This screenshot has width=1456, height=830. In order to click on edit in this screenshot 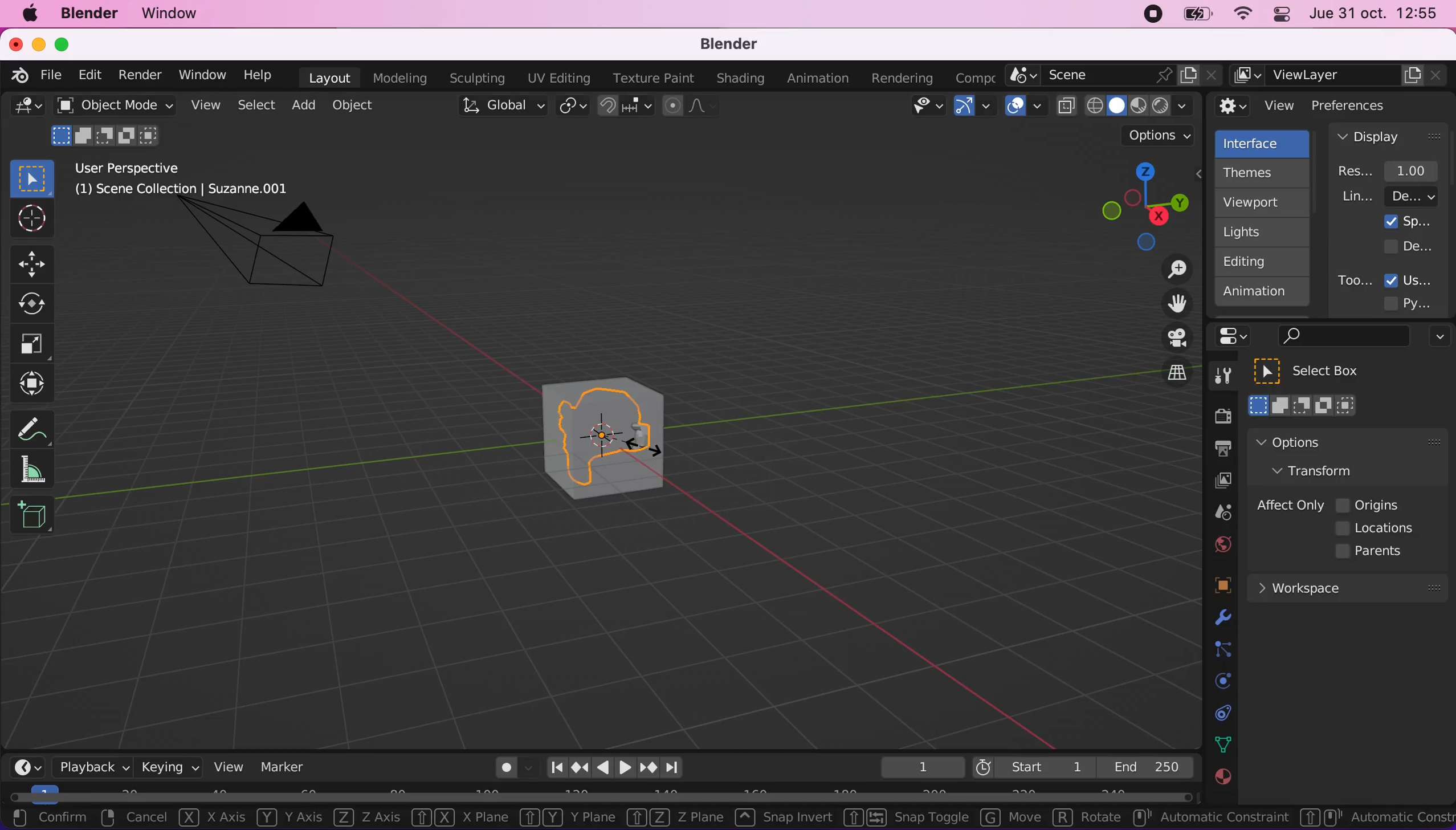, I will do `click(87, 75)`.